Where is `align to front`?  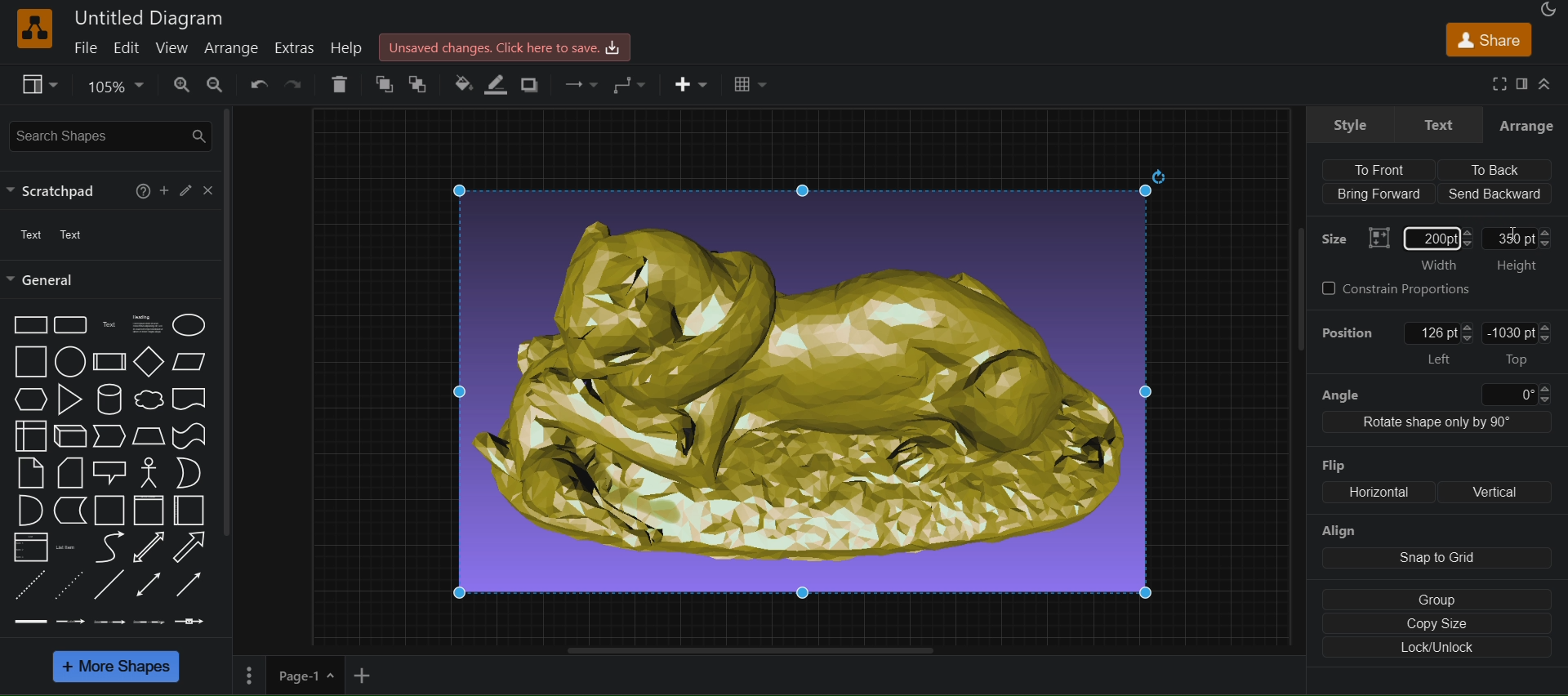 align to front is located at coordinates (1388, 168).